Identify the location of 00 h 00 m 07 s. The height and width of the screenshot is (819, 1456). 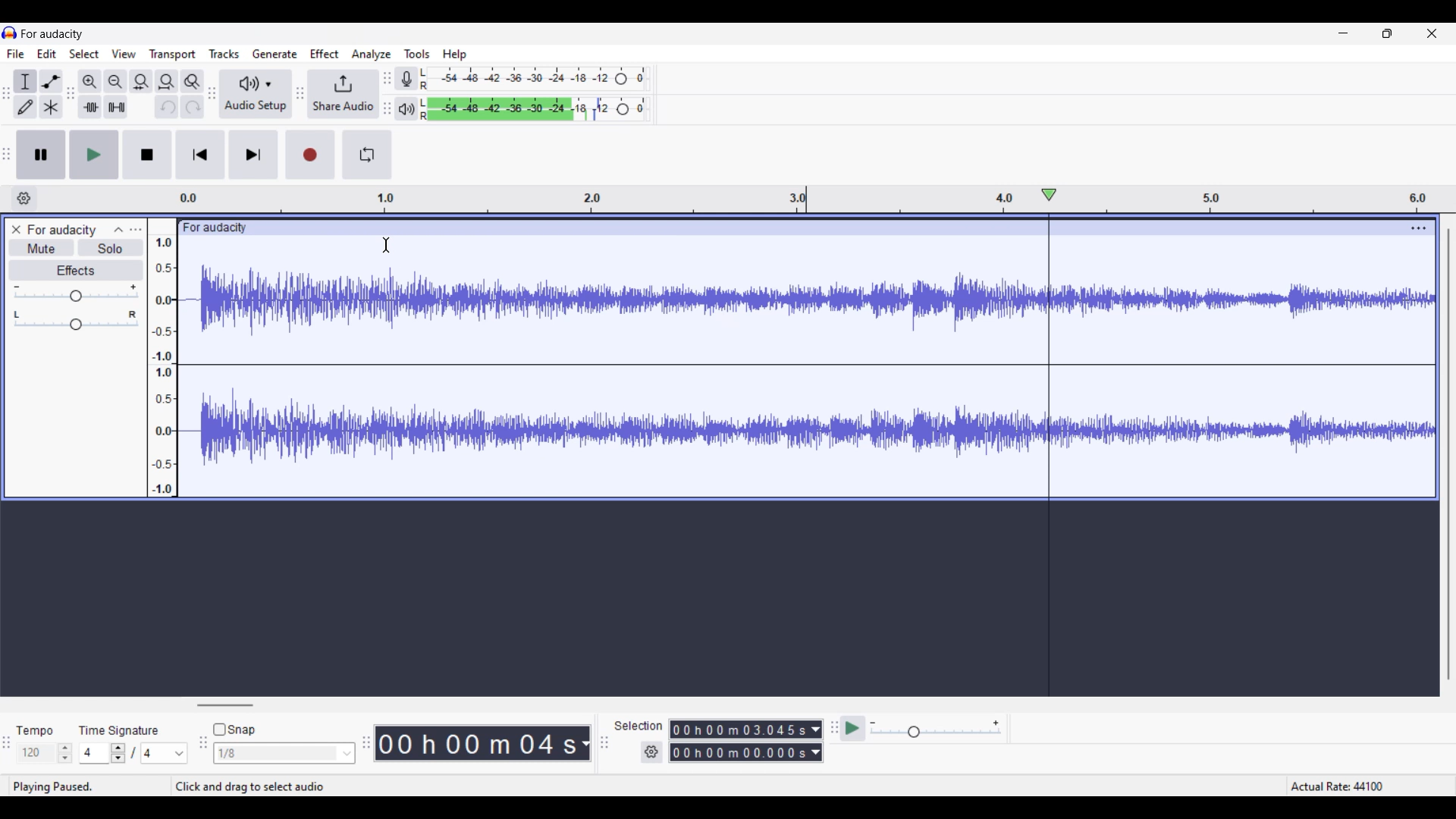
(477, 743).